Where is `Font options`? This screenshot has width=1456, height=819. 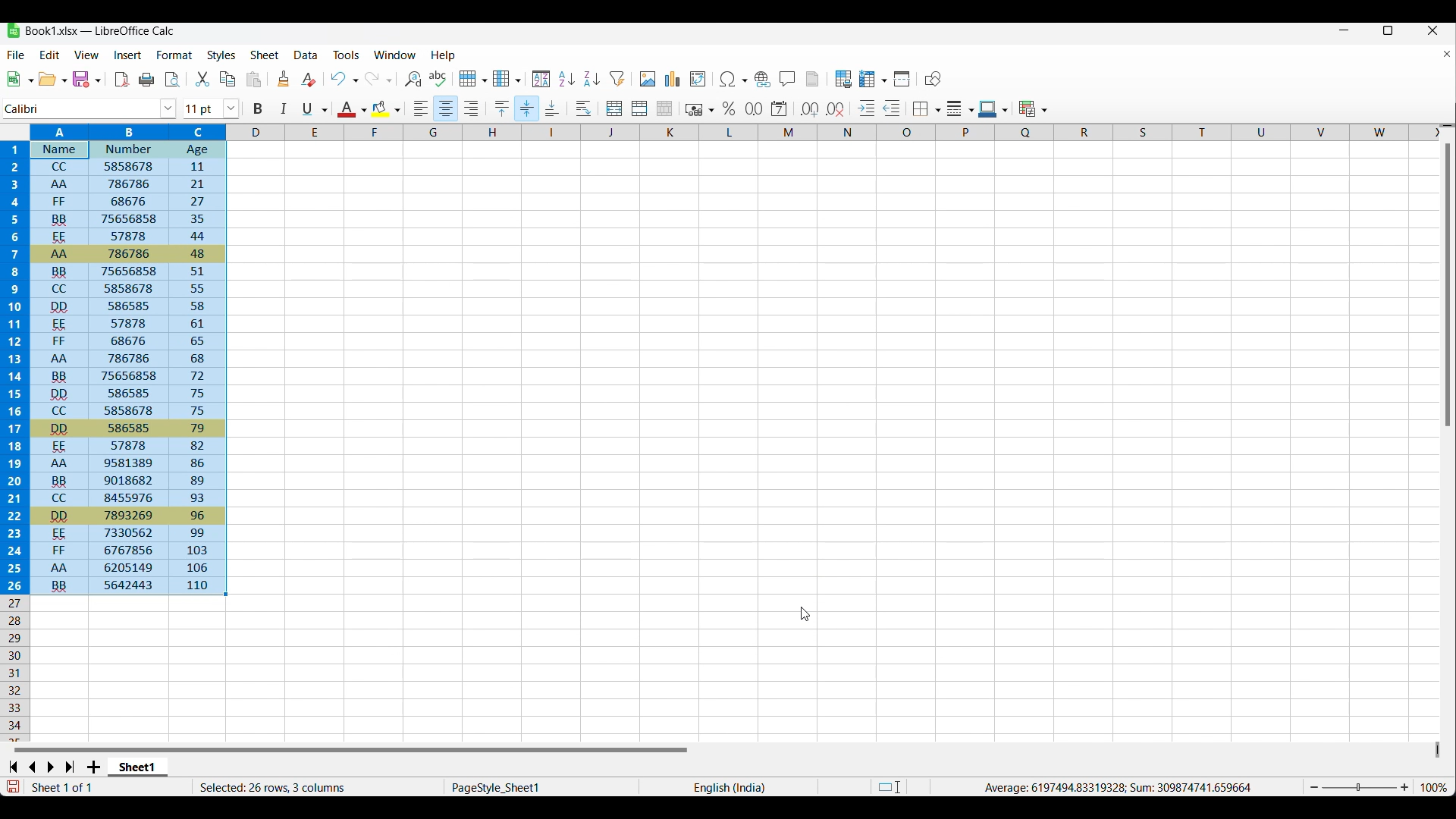 Font options is located at coordinates (168, 109).